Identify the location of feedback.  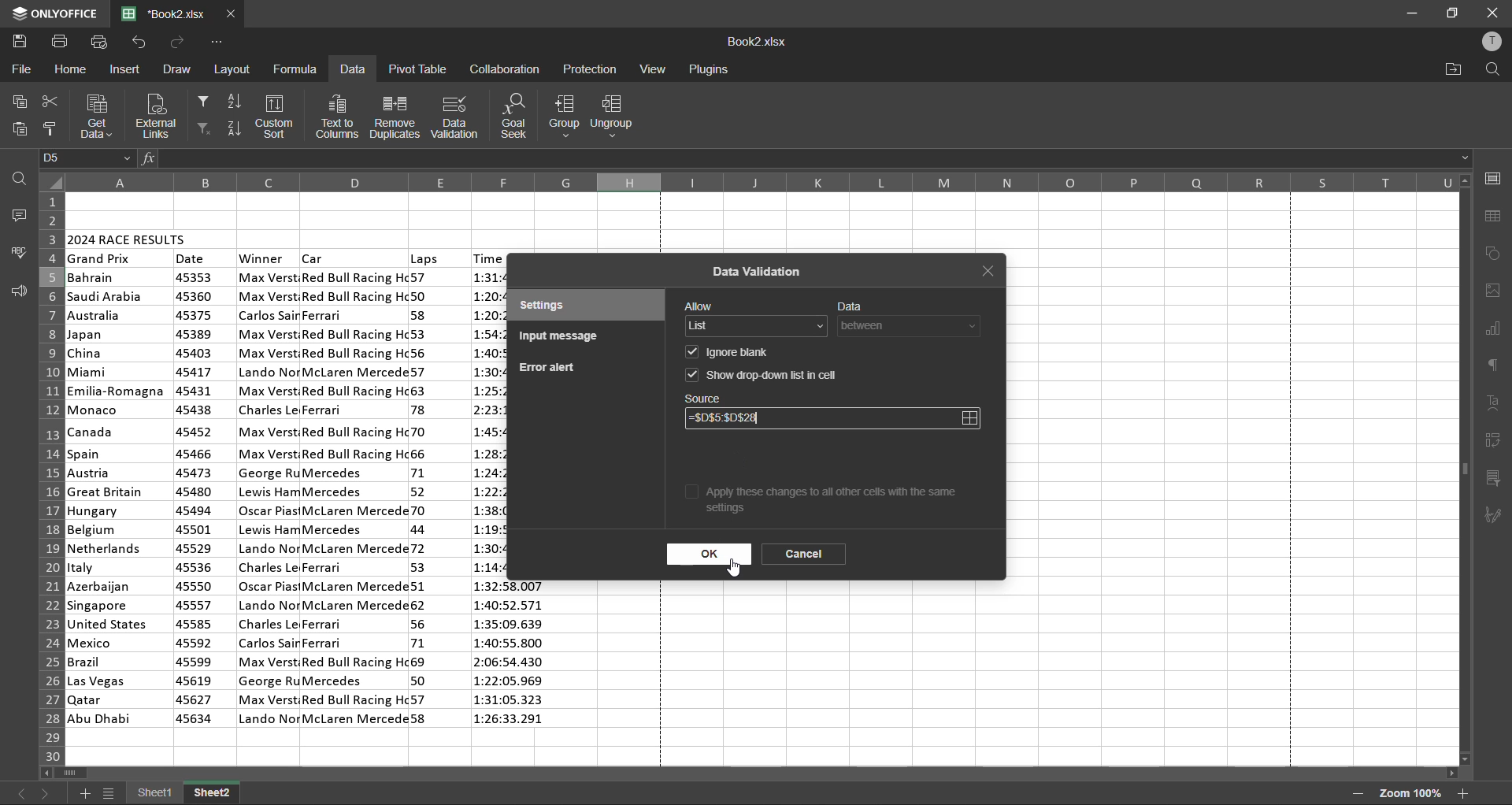
(15, 293).